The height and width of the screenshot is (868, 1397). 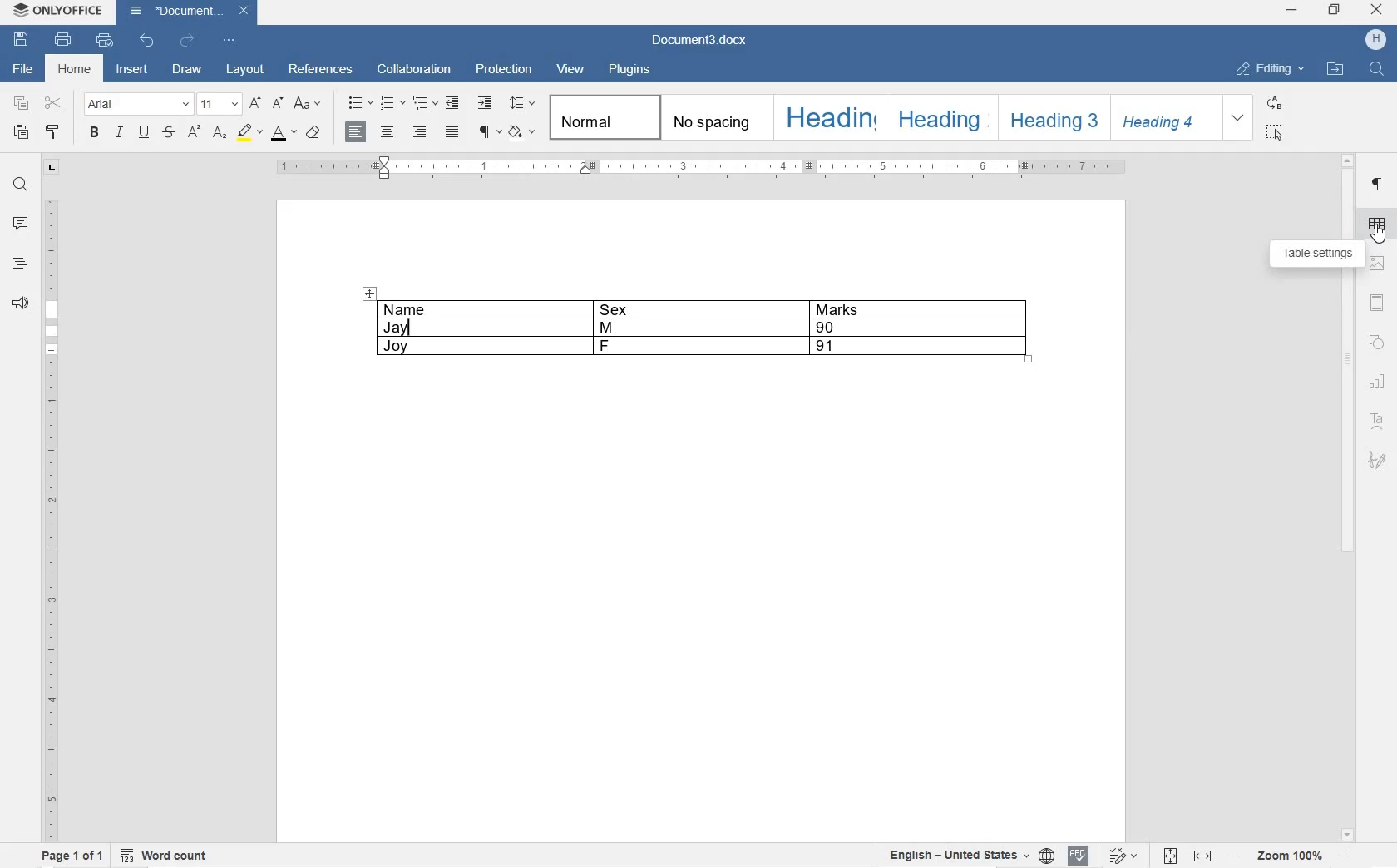 What do you see at coordinates (52, 170) in the screenshot?
I see `TAB` at bounding box center [52, 170].